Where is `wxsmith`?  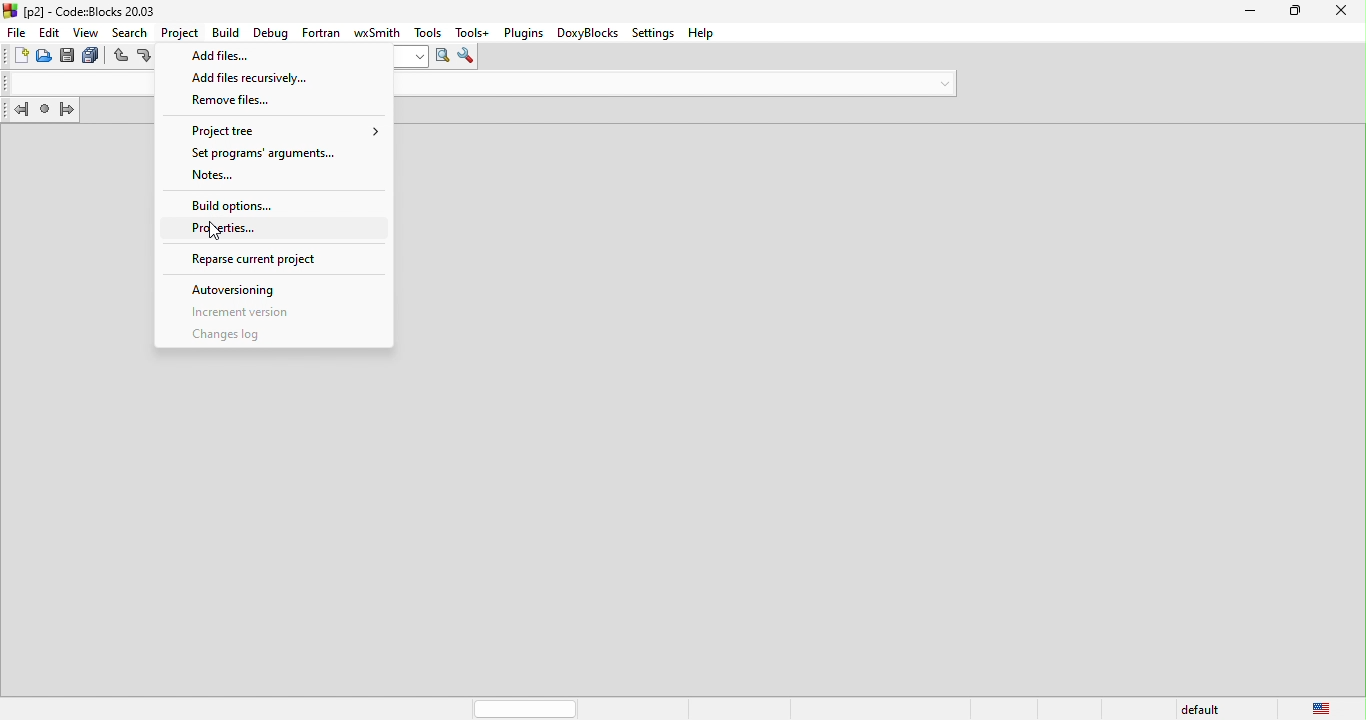 wxsmith is located at coordinates (371, 31).